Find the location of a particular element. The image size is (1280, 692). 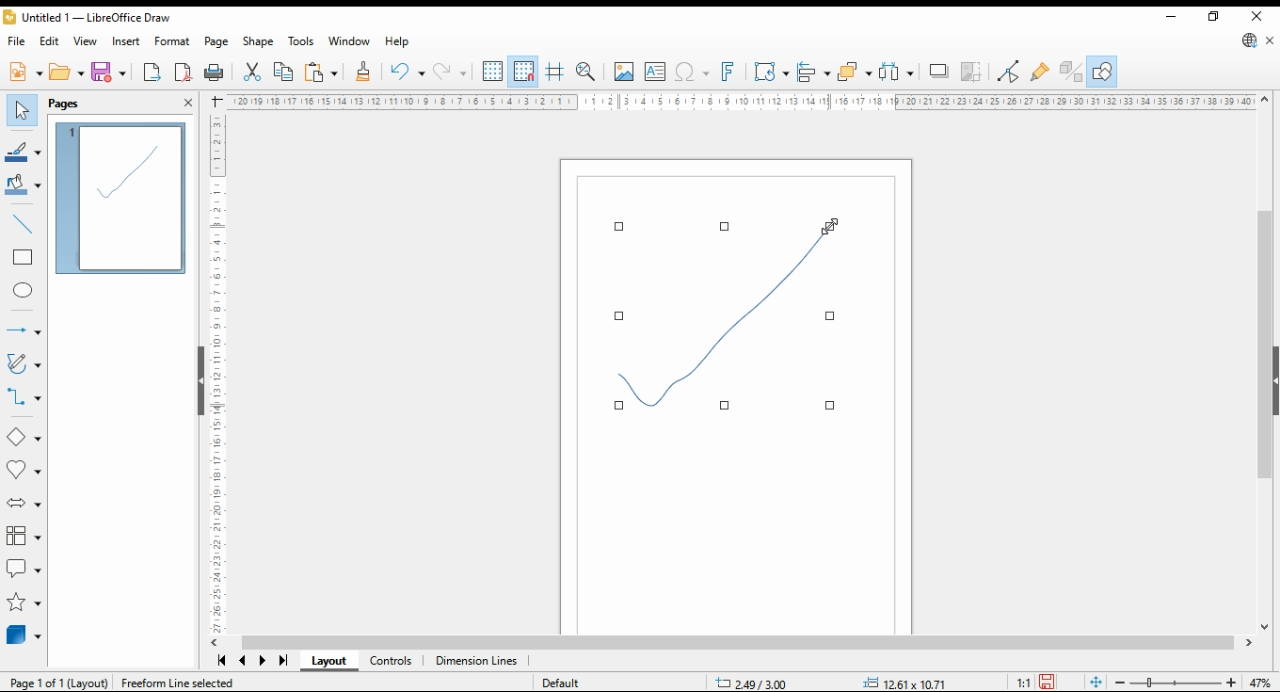

snap to grid is located at coordinates (525, 72).